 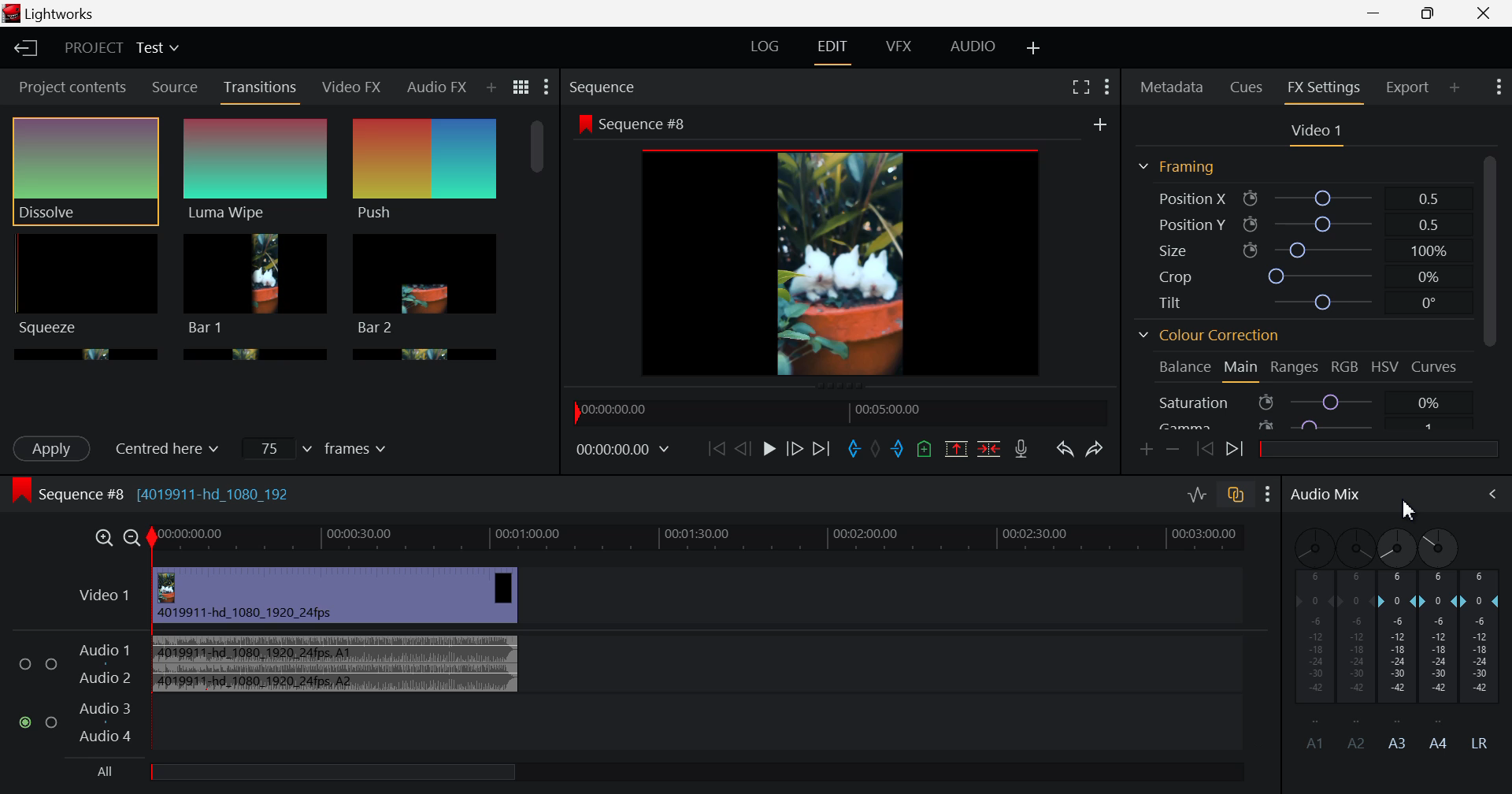 I want to click on Apply, so click(x=54, y=448).